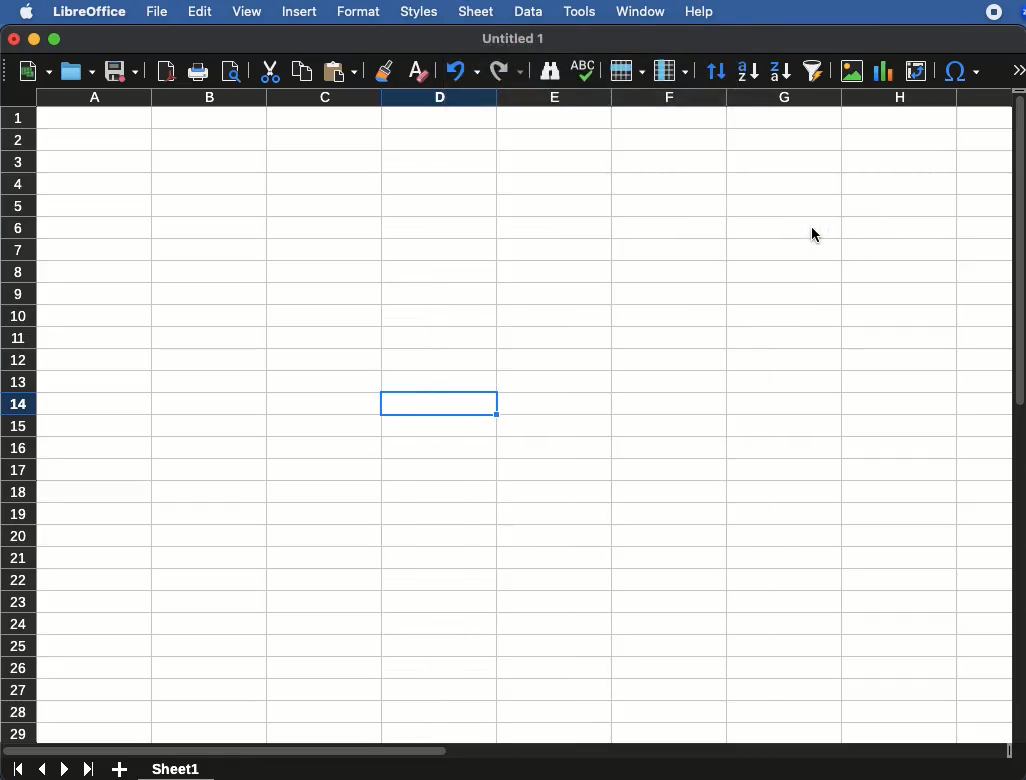 The image size is (1026, 780). What do you see at coordinates (177, 768) in the screenshot?
I see `sheet1` at bounding box center [177, 768].